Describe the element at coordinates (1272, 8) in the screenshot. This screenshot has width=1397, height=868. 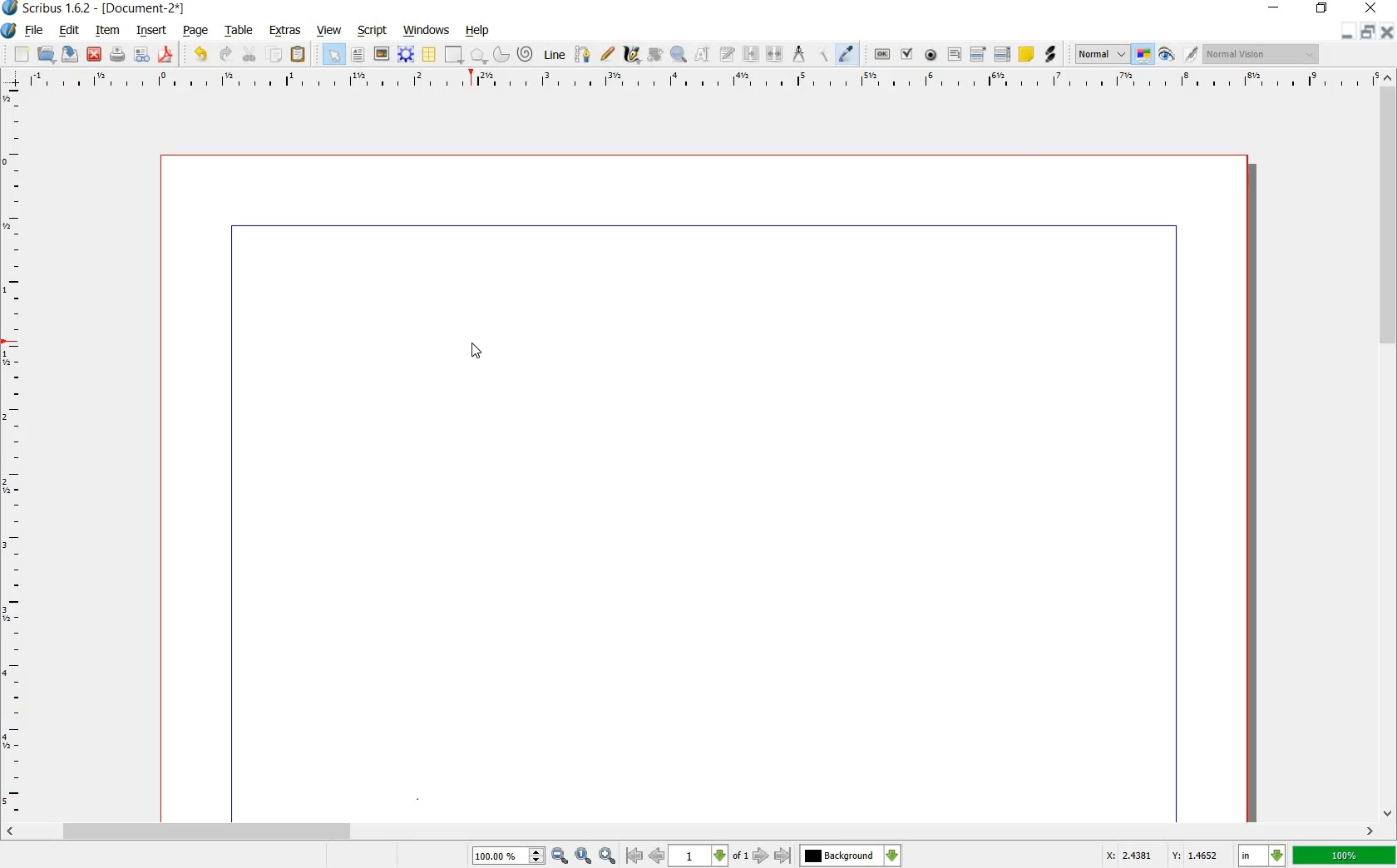
I see `MINIMIZE` at that location.